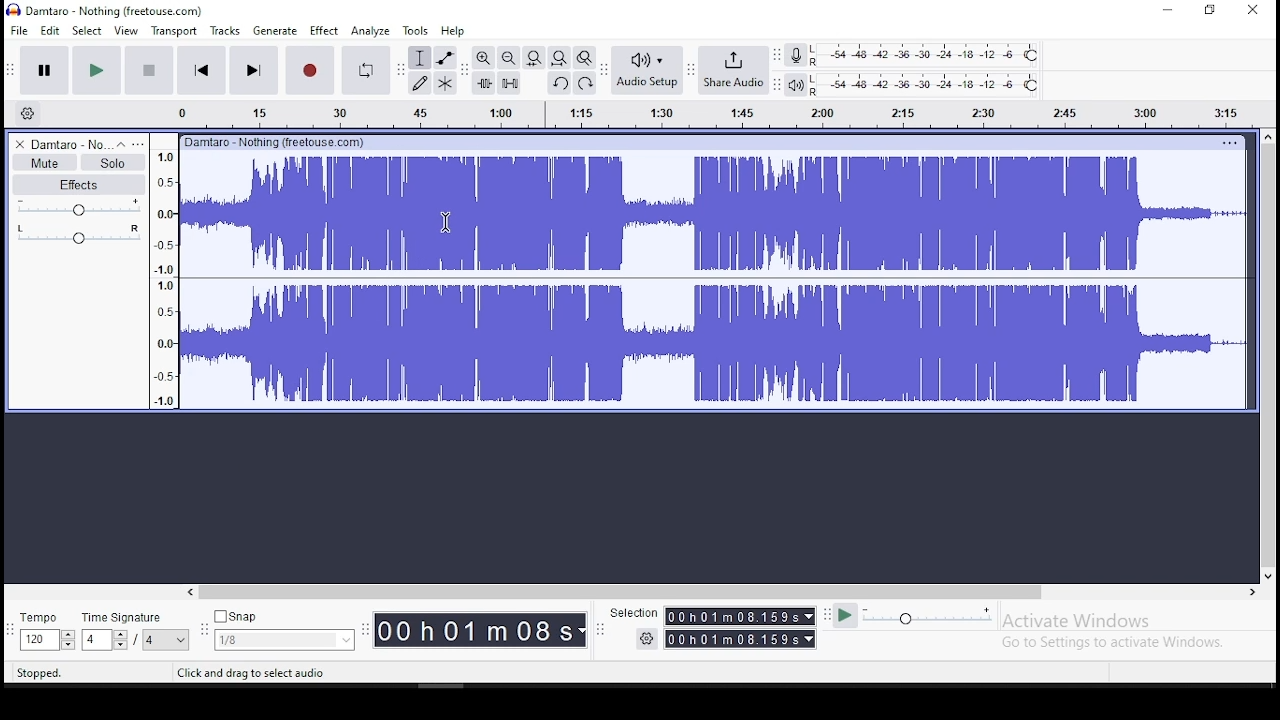 The width and height of the screenshot is (1280, 720). I want to click on 00 h 01 m 08.159s, so click(732, 639).